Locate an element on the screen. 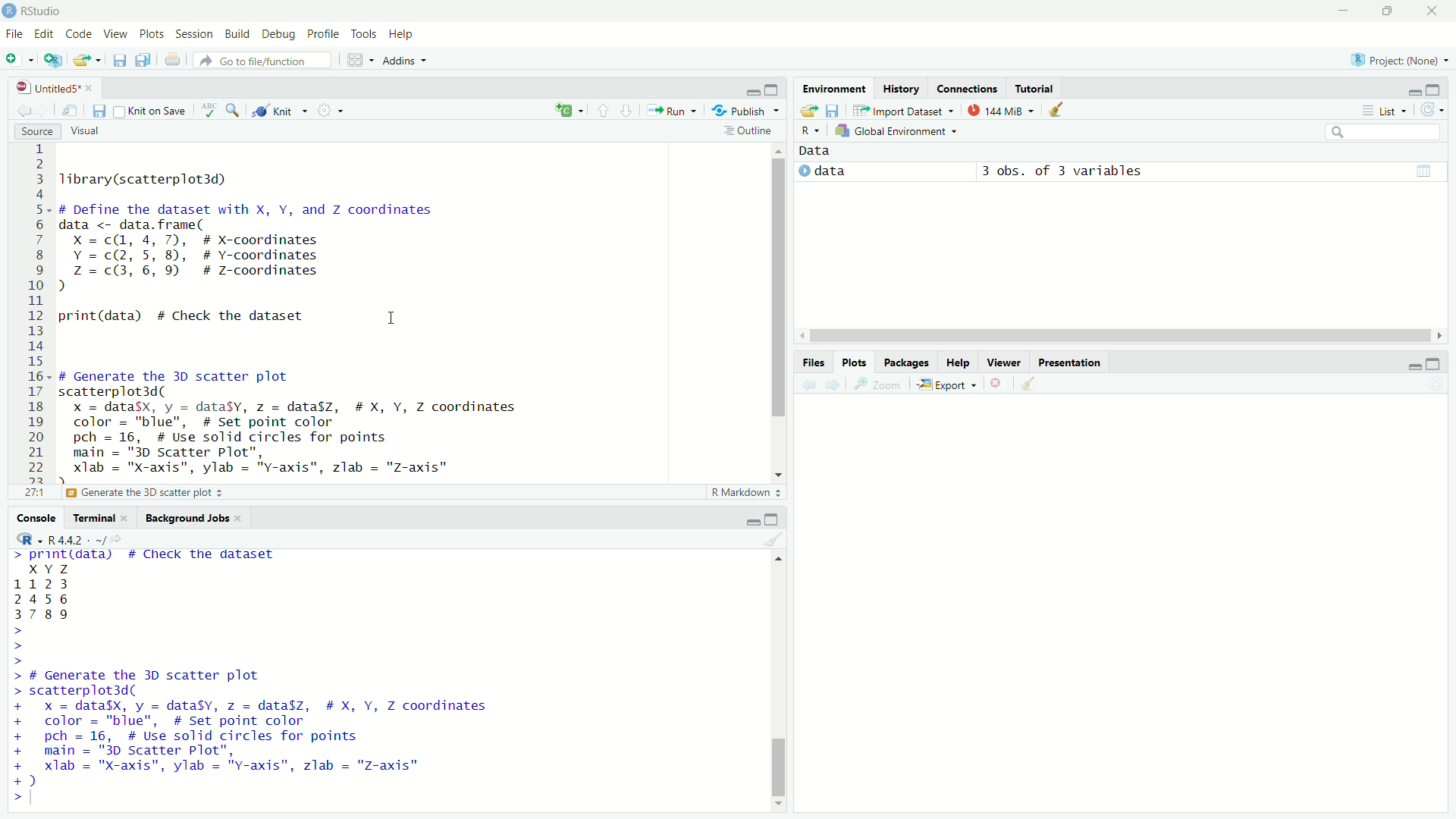  minimize is located at coordinates (1410, 365).